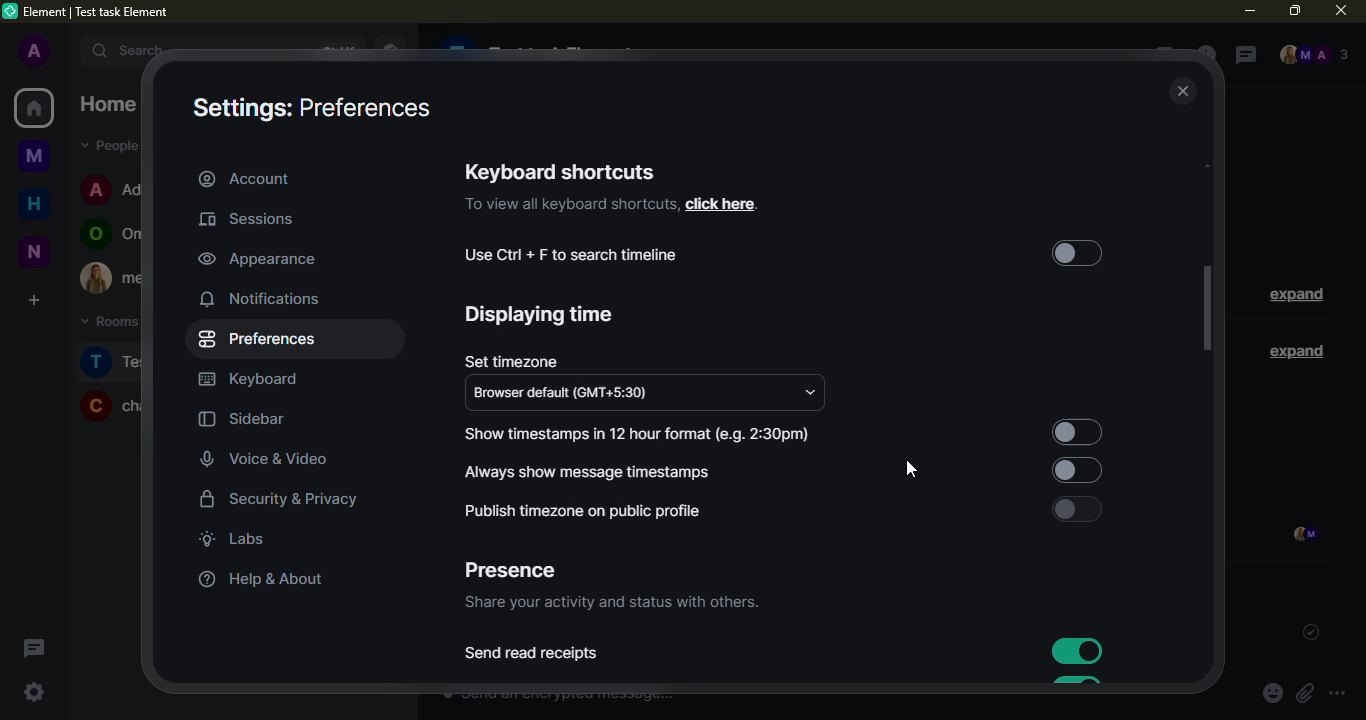  I want to click on move up, so click(1212, 163).